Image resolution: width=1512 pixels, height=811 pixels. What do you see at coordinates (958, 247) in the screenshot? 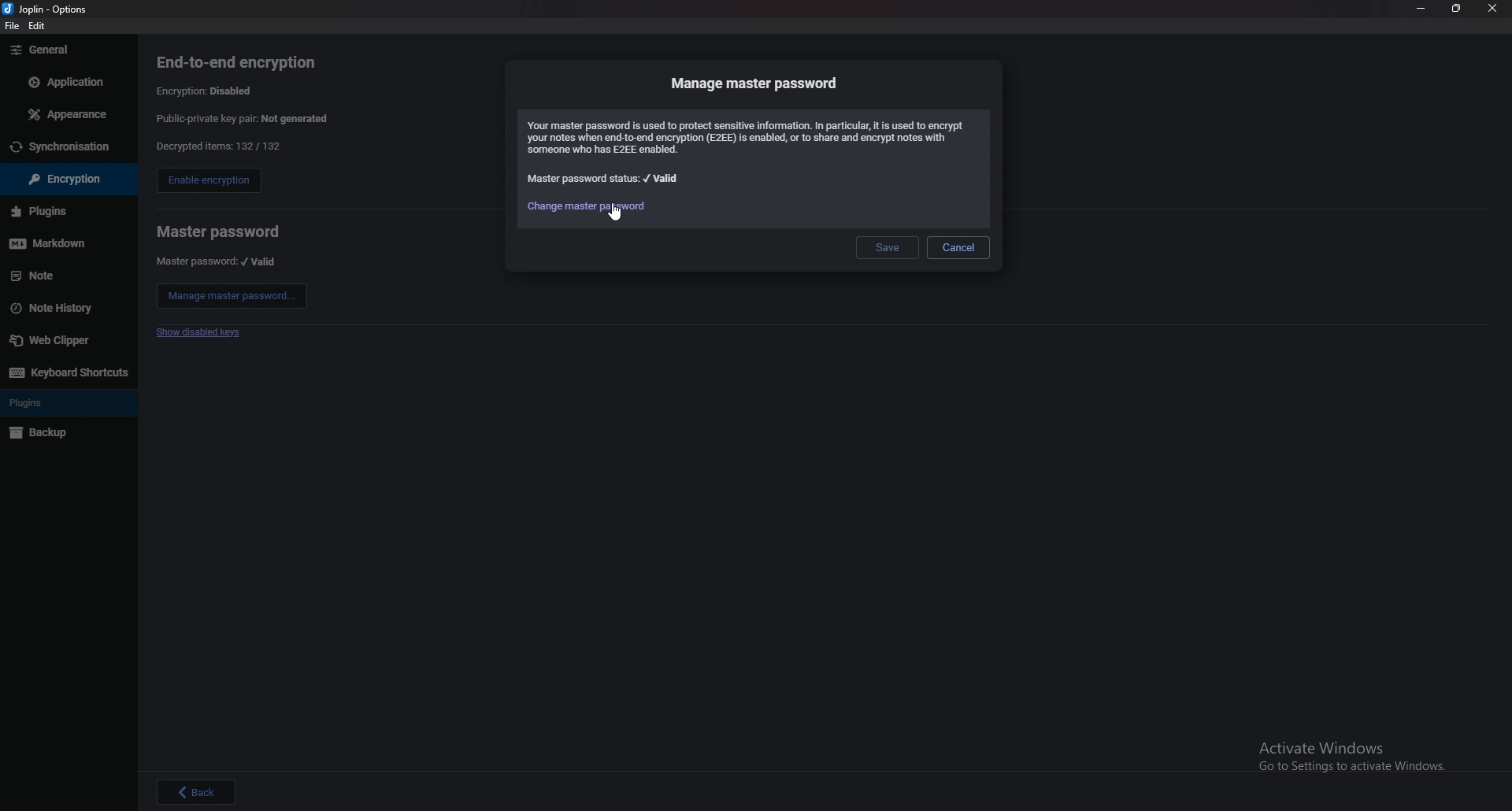
I see `cancel` at bounding box center [958, 247].